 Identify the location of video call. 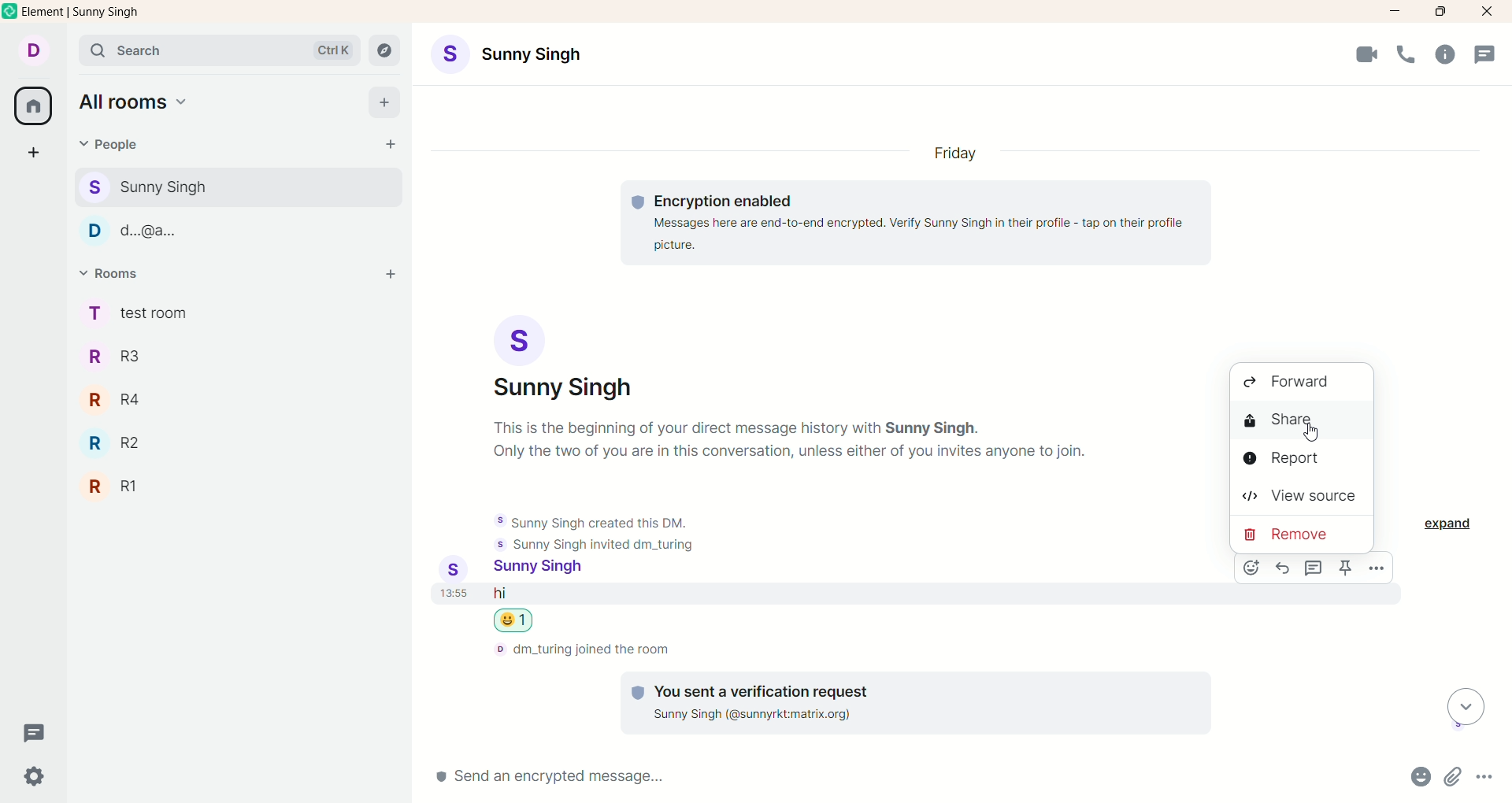
(1365, 55).